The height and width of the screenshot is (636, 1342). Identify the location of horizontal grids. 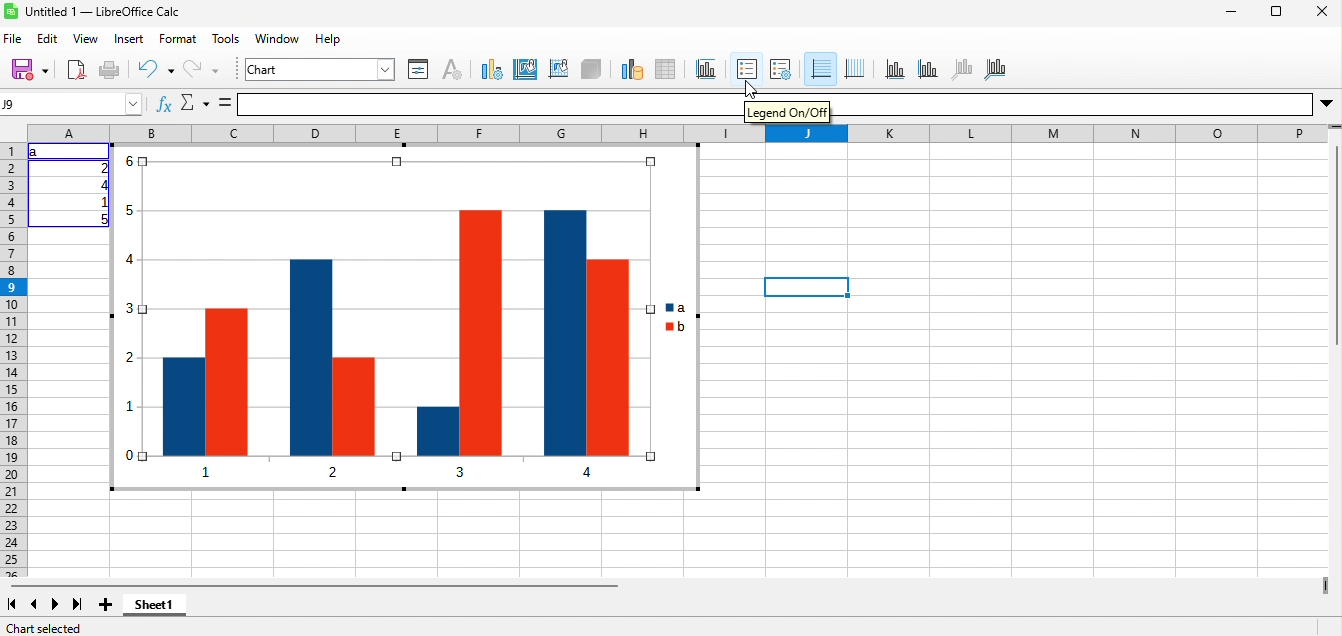
(821, 70).